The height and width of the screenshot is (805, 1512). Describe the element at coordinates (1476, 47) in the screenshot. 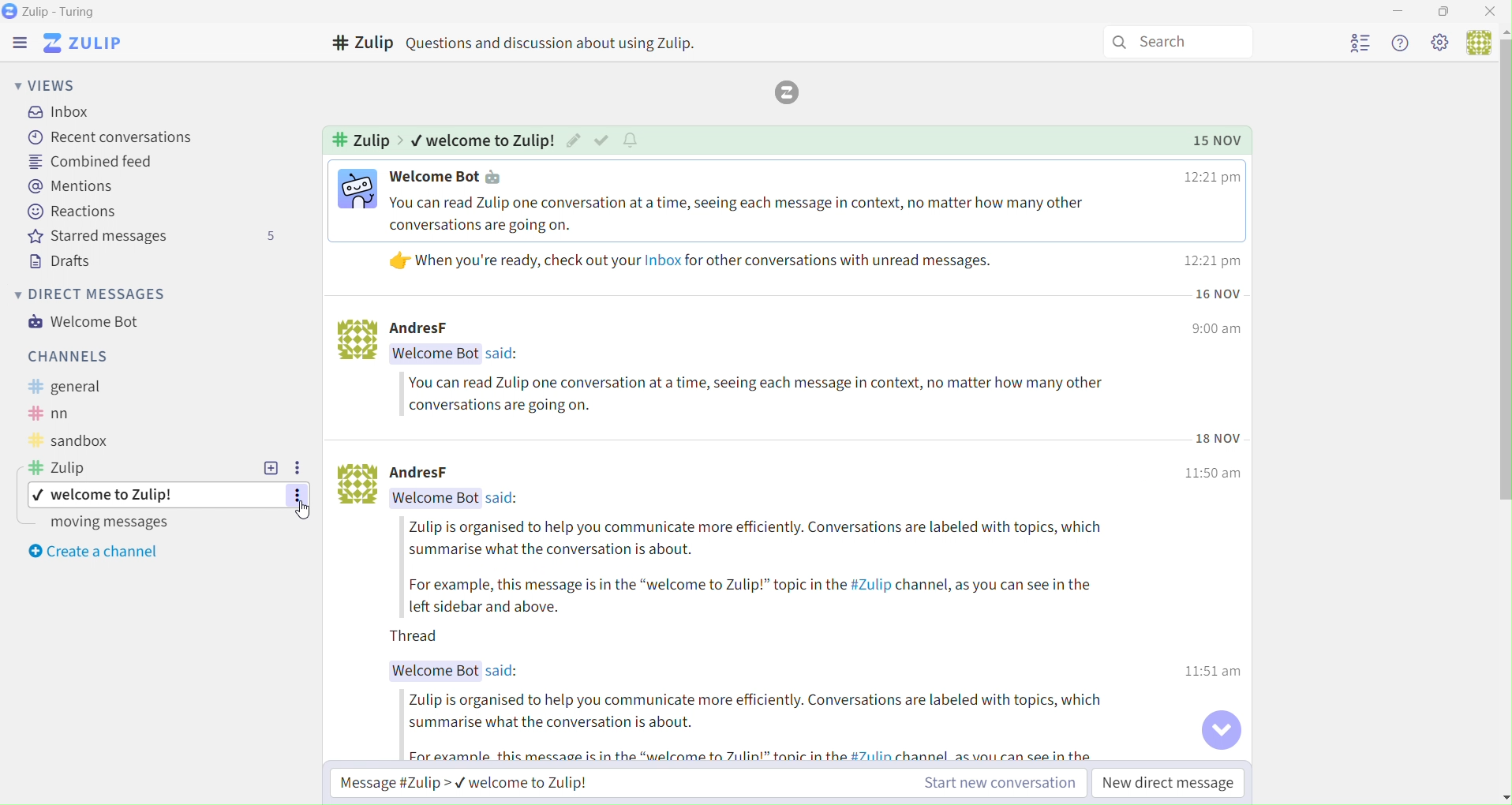

I see `user` at that location.